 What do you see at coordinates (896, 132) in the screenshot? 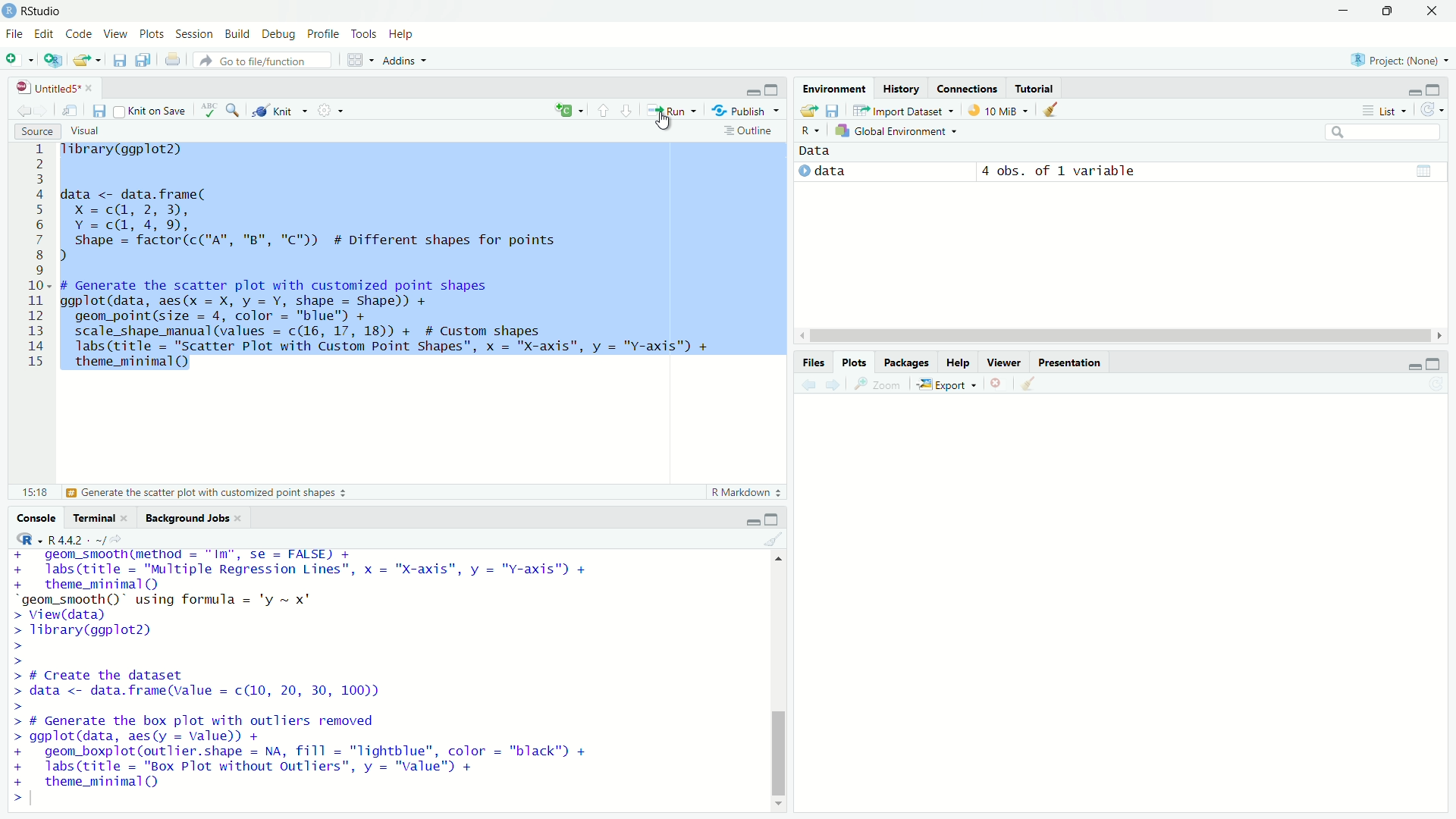
I see `Global Environment` at bounding box center [896, 132].